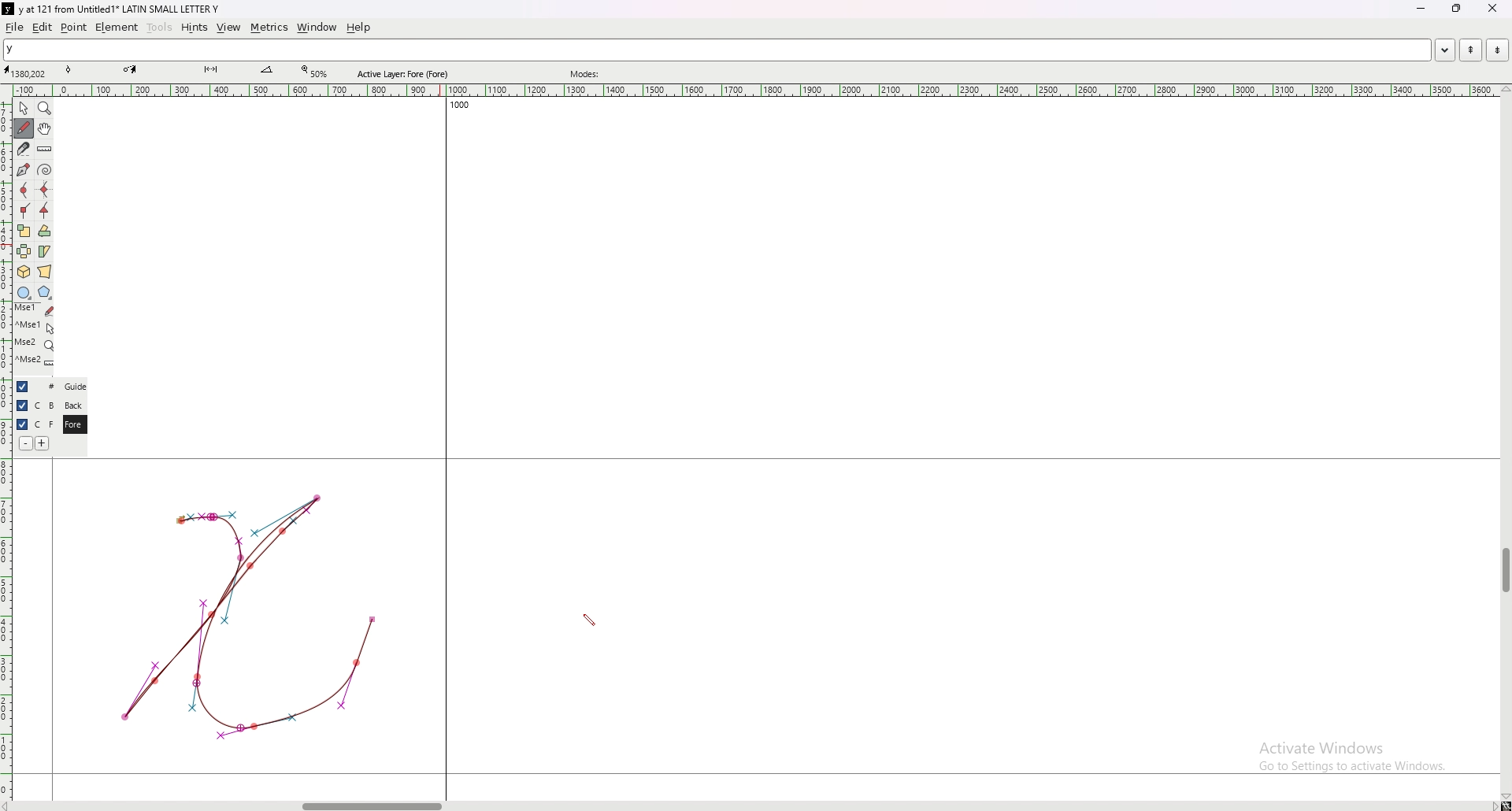 Image resolution: width=1512 pixels, height=811 pixels. What do you see at coordinates (24, 272) in the screenshot?
I see `rotate the selection in 3d` at bounding box center [24, 272].